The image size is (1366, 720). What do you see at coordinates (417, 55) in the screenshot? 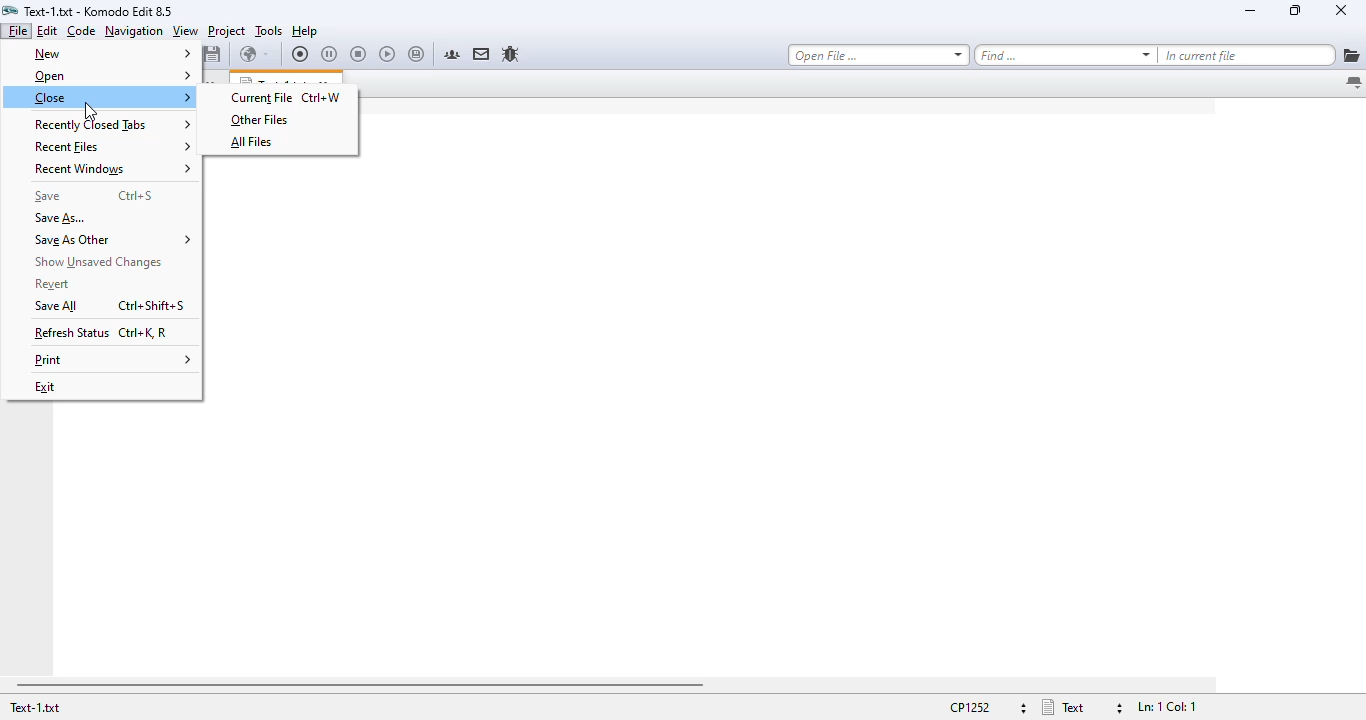
I see `save last macro to toolbox` at bounding box center [417, 55].